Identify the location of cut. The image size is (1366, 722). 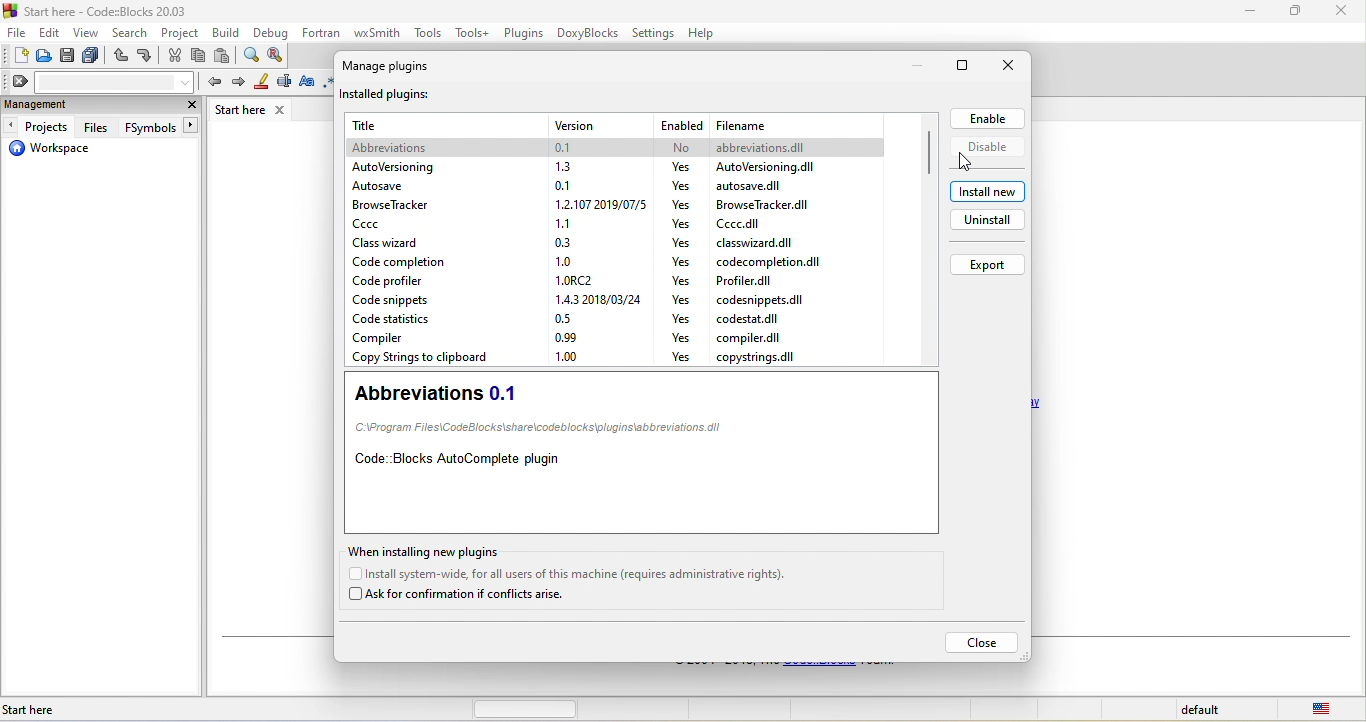
(175, 55).